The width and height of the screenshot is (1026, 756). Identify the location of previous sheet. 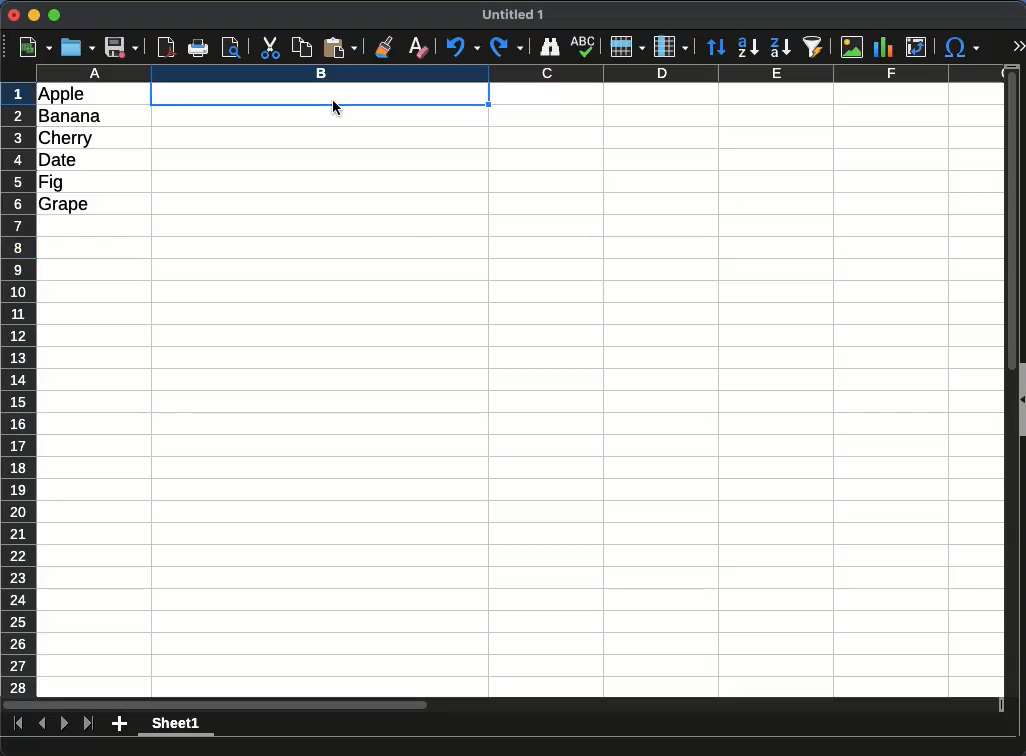
(42, 724).